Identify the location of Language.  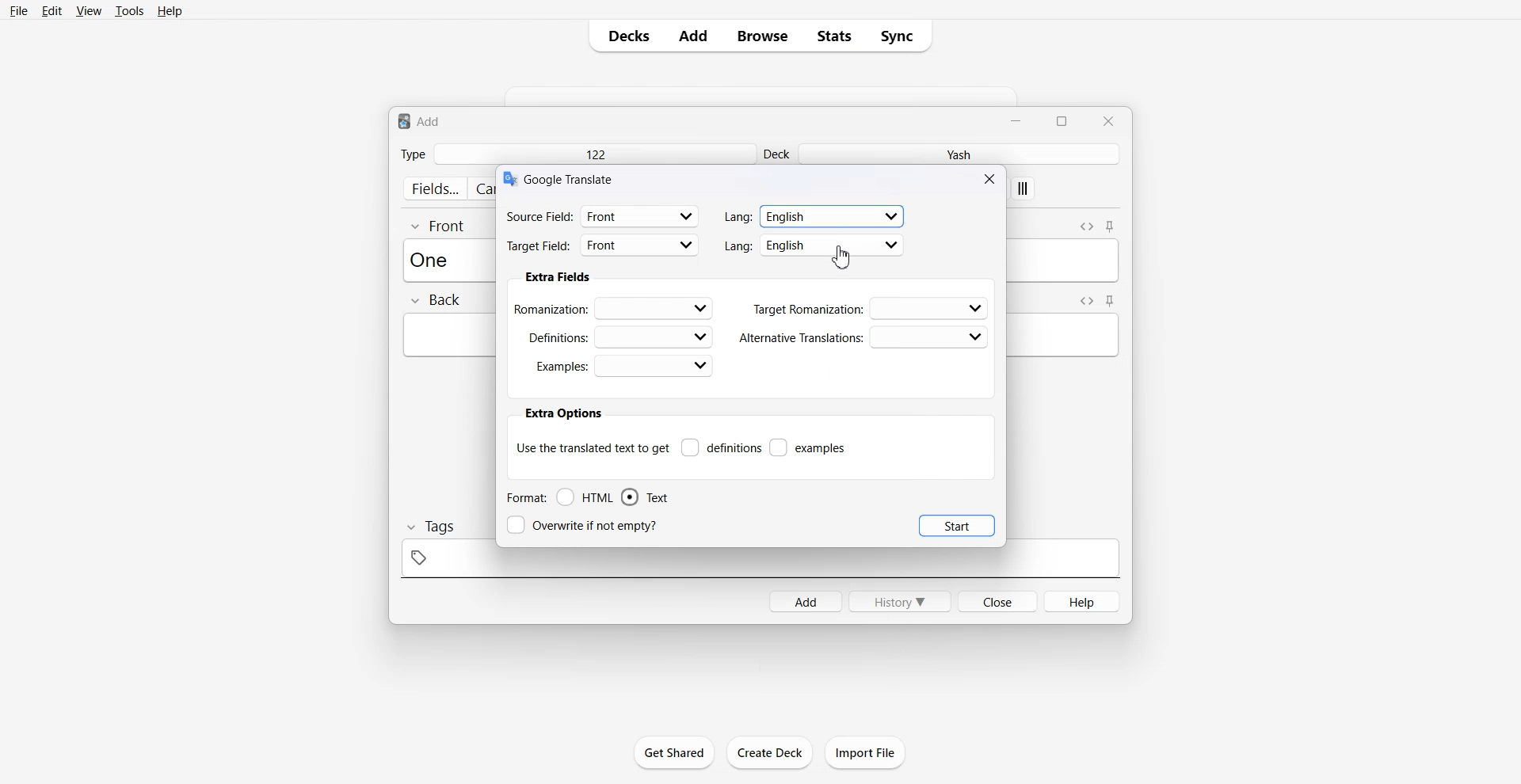
(815, 216).